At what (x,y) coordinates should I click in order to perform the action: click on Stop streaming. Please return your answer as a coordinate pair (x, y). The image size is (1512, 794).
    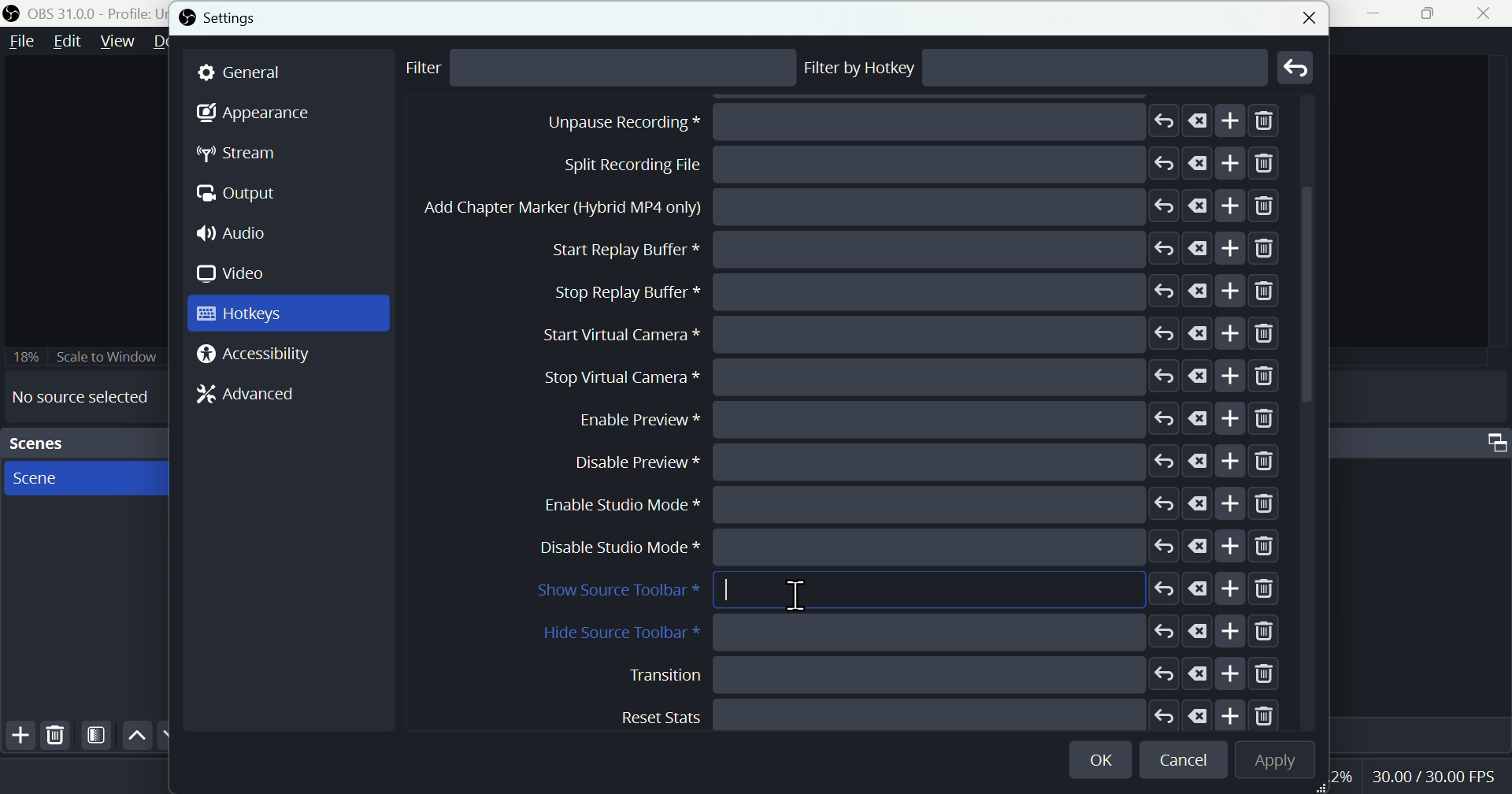
    Looking at the image, I should click on (873, 123).